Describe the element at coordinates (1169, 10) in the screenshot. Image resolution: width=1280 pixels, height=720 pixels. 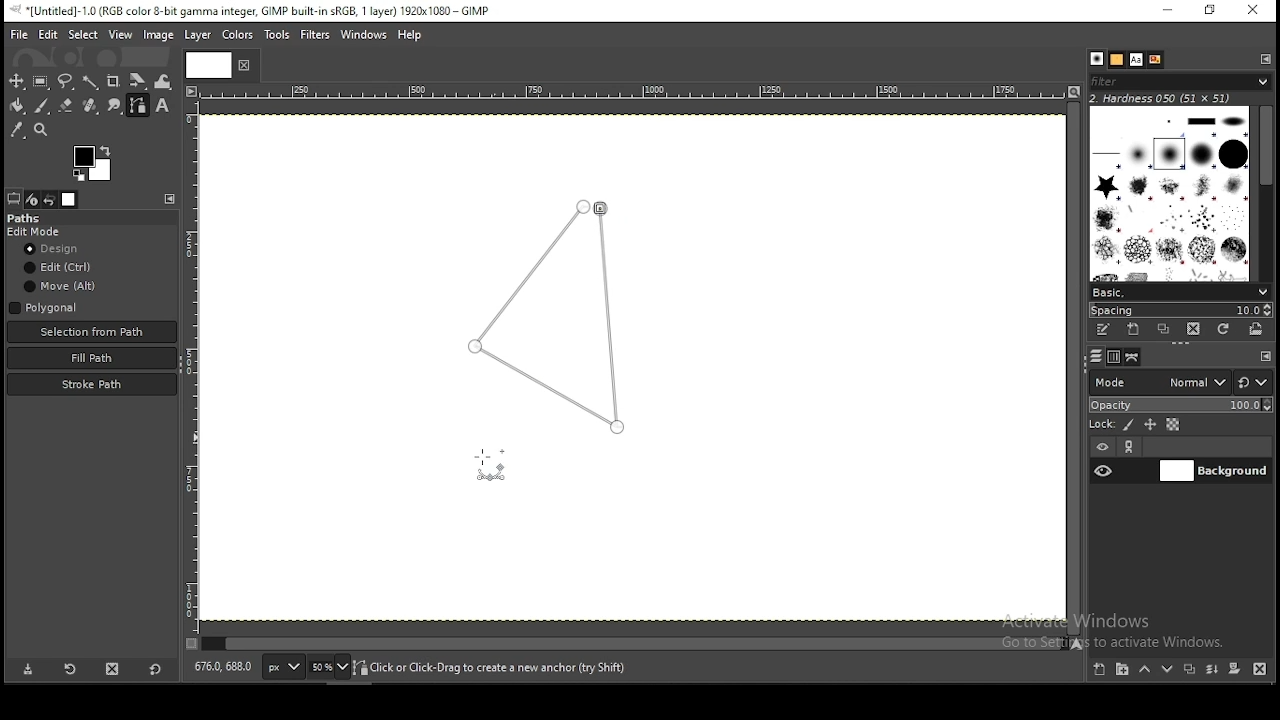
I see `minimize` at that location.